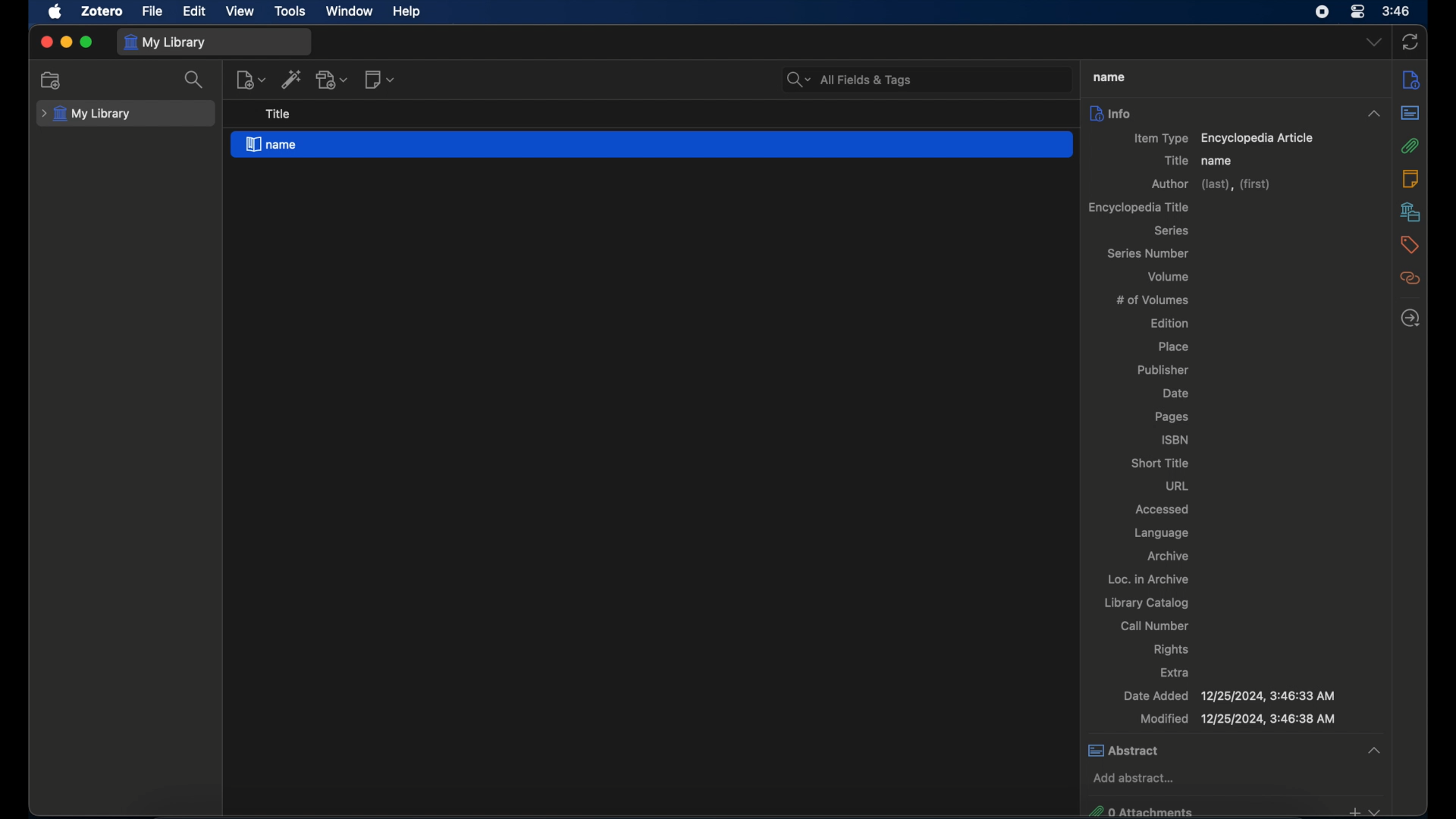  I want to click on related, so click(1410, 278).